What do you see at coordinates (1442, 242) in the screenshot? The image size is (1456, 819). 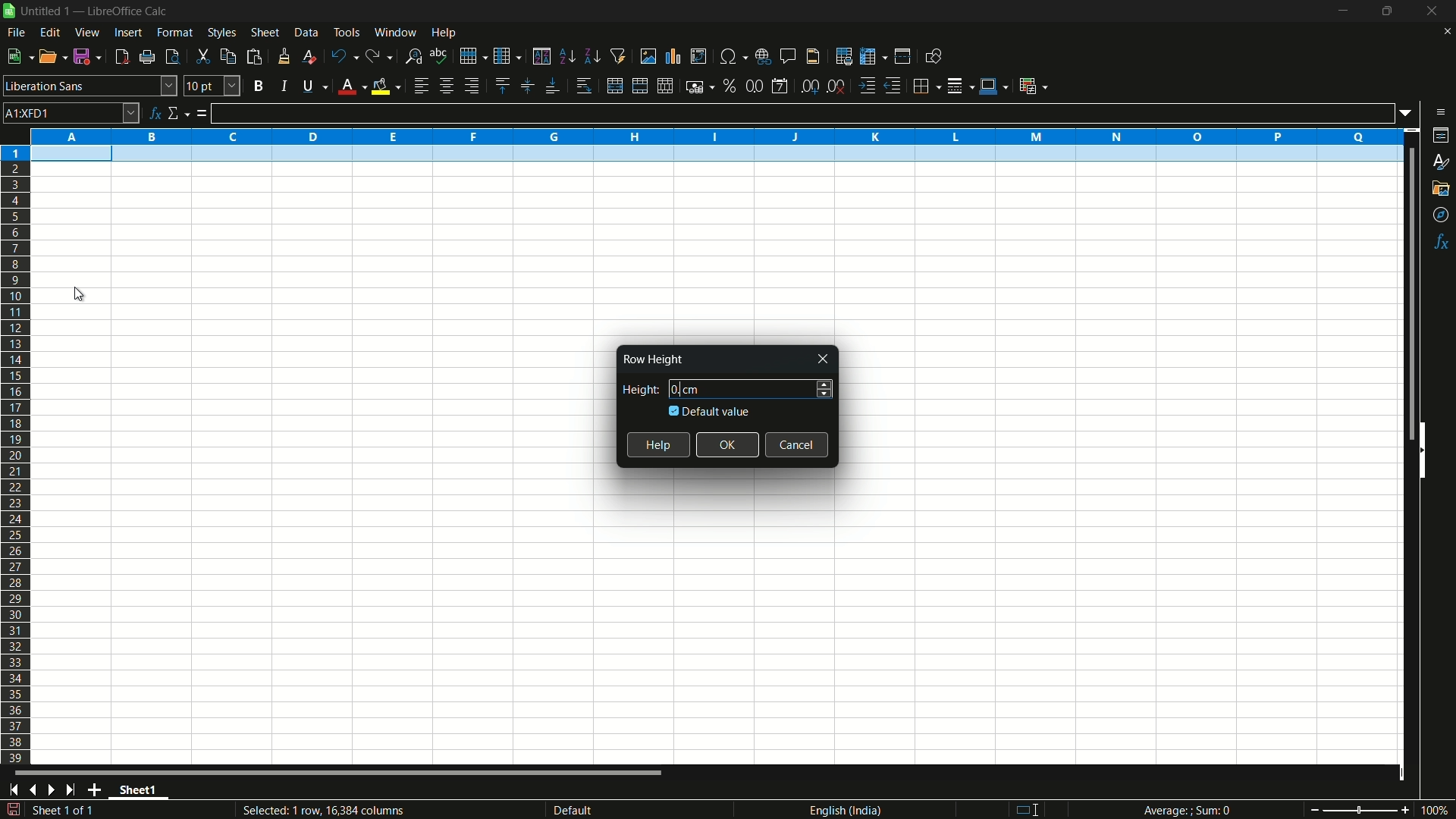 I see `functions` at bounding box center [1442, 242].